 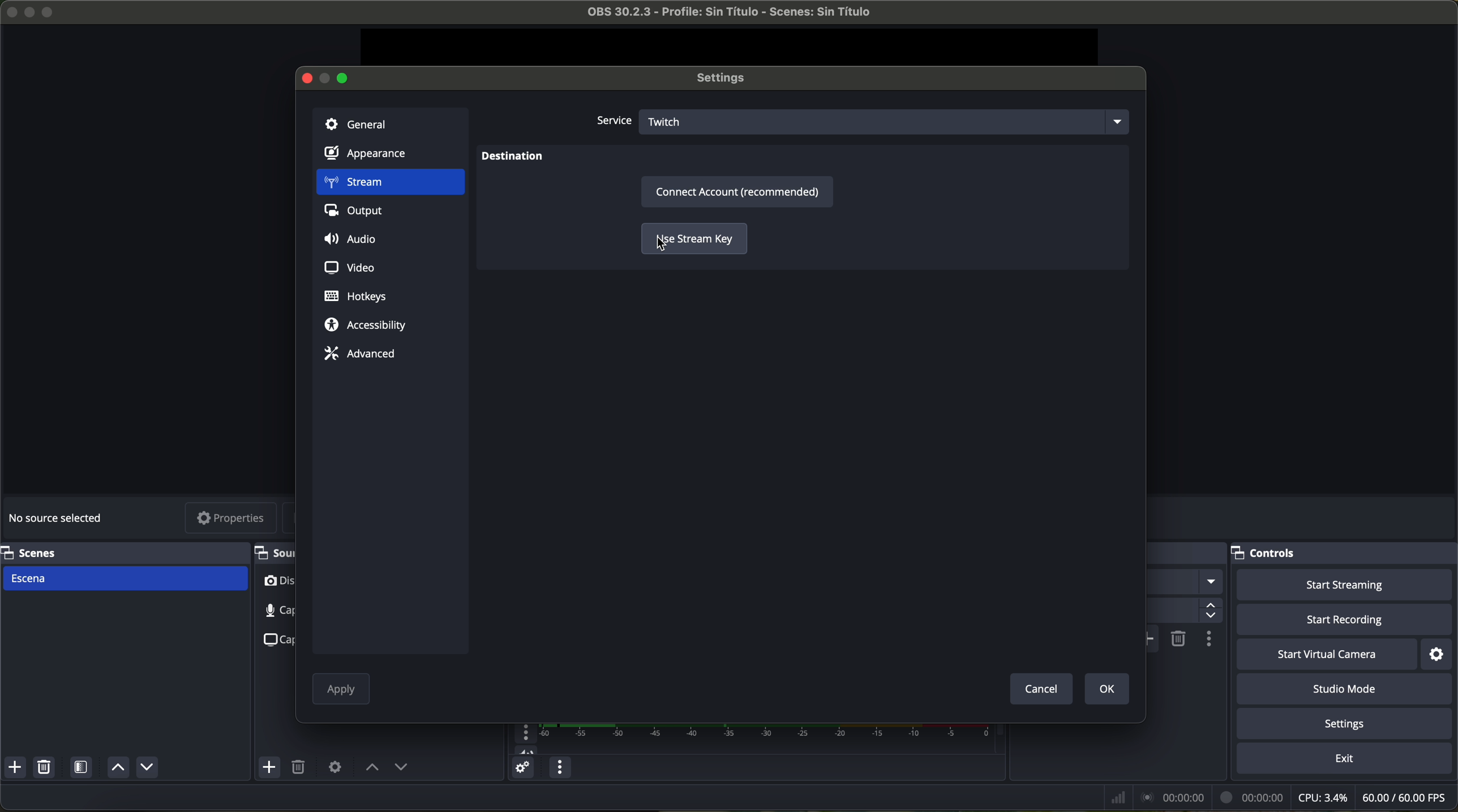 I want to click on sources, so click(x=273, y=552).